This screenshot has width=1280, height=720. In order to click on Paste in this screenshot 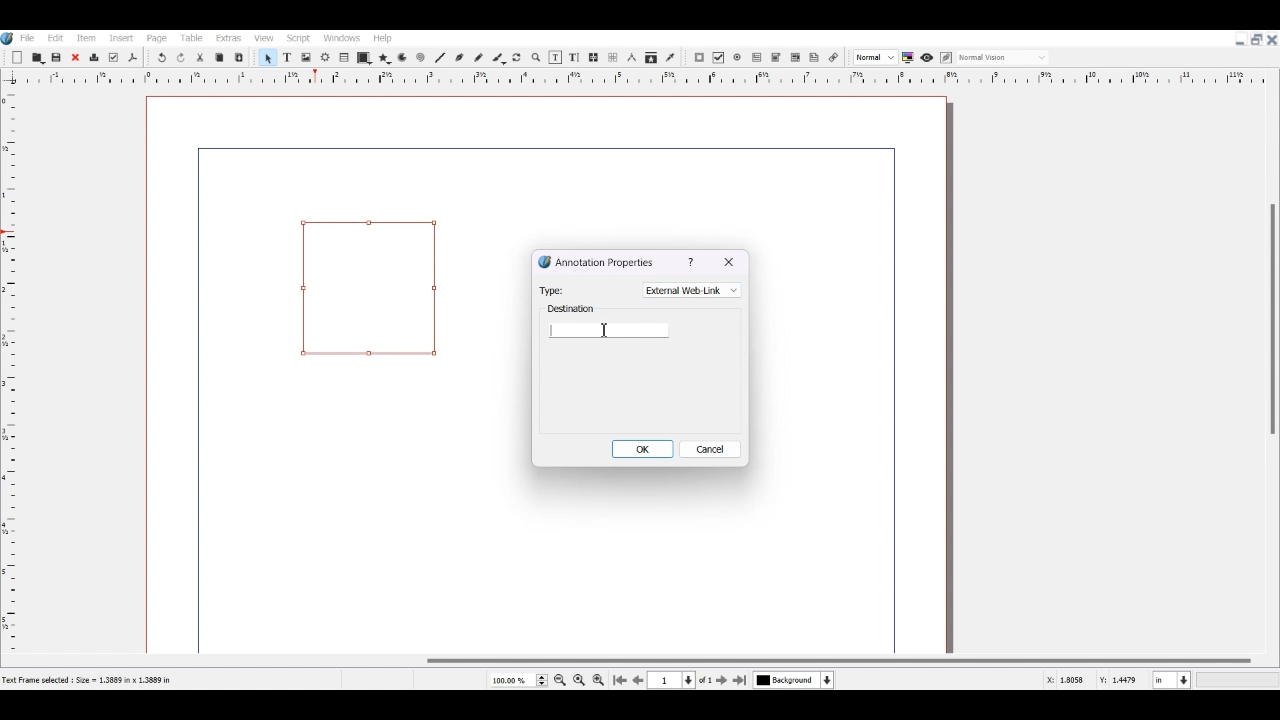, I will do `click(239, 57)`.